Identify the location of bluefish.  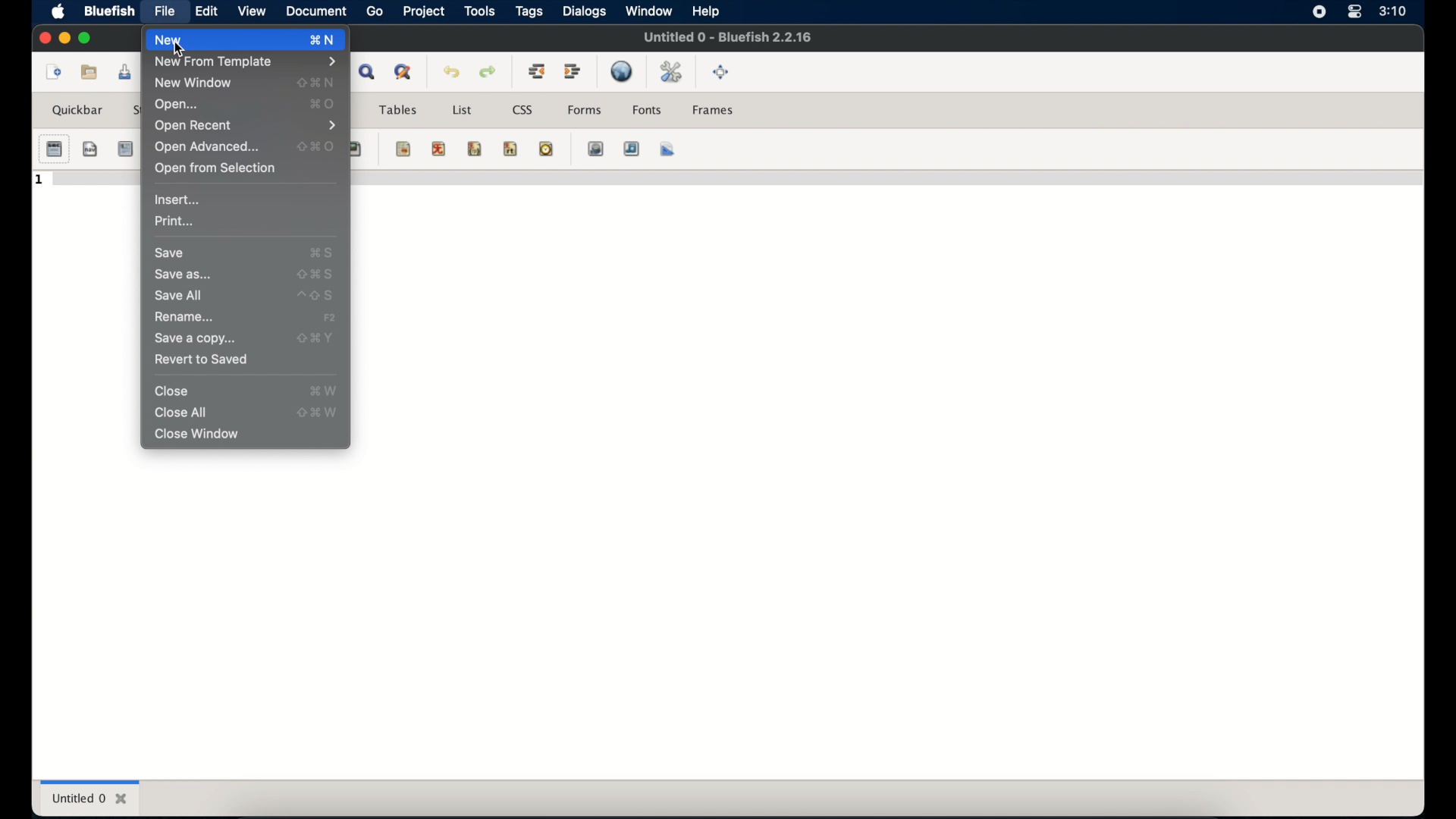
(107, 11).